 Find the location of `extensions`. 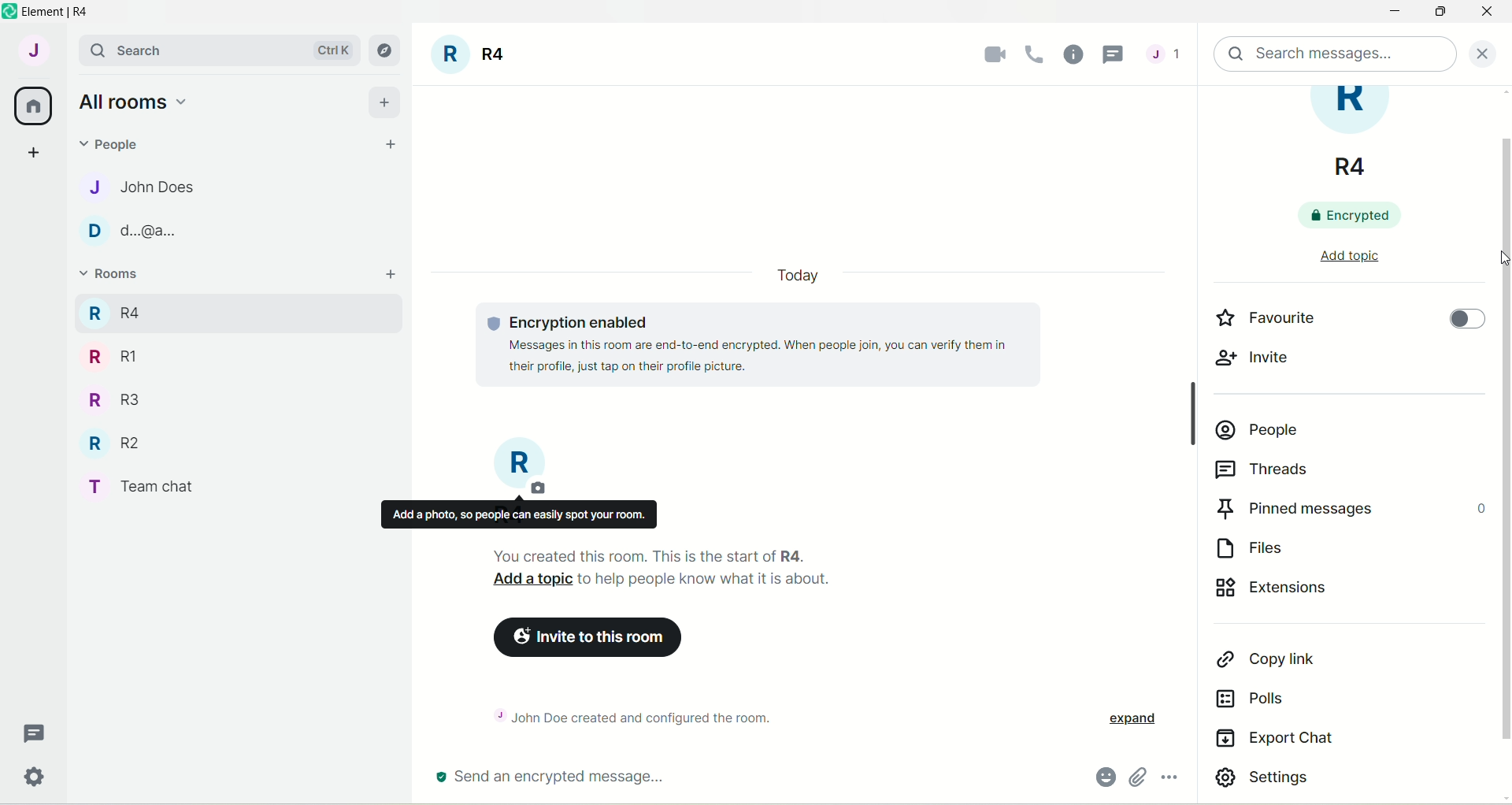

extensions is located at coordinates (1294, 592).